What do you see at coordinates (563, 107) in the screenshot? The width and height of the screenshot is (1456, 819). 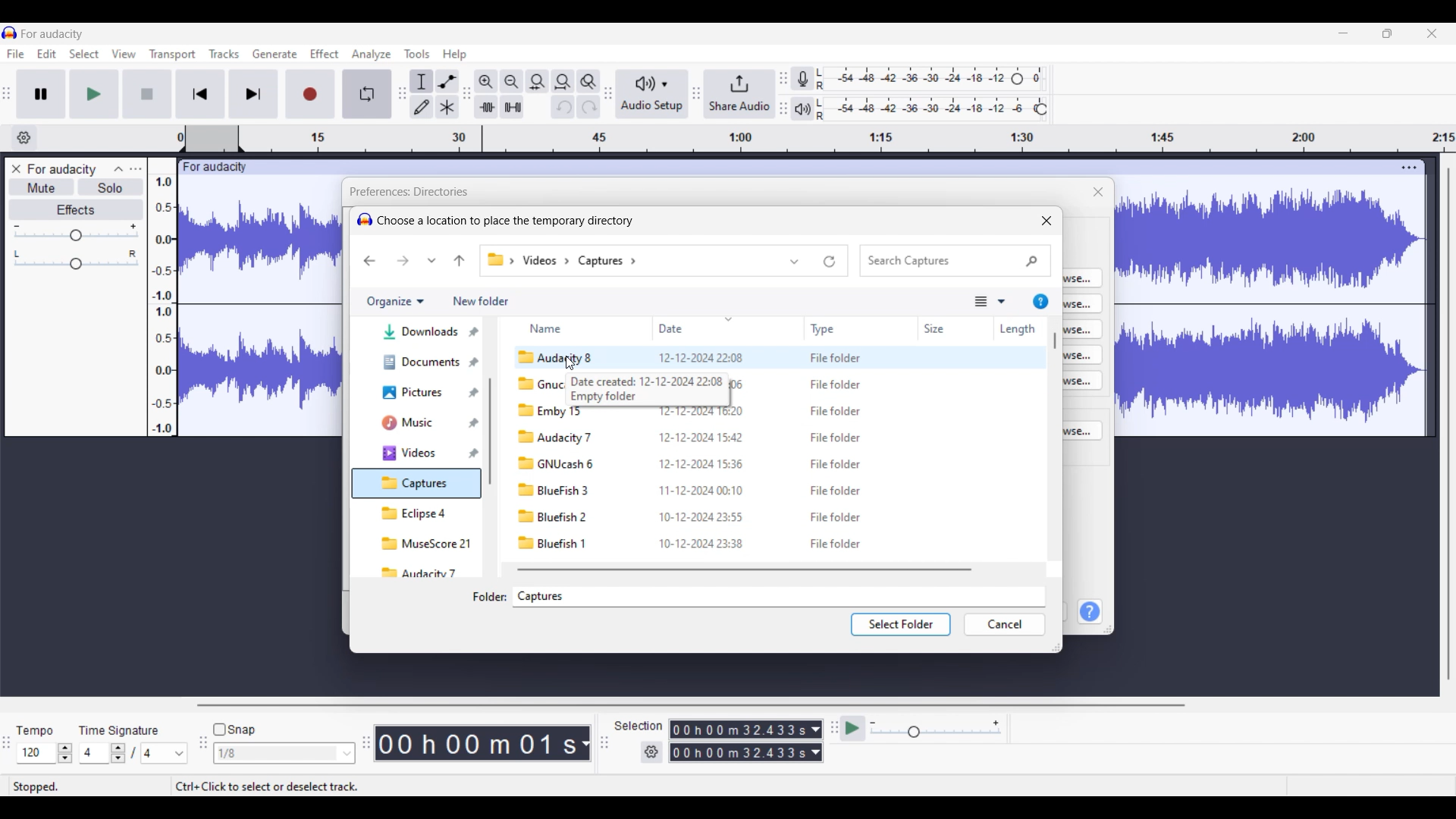 I see `Undo` at bounding box center [563, 107].